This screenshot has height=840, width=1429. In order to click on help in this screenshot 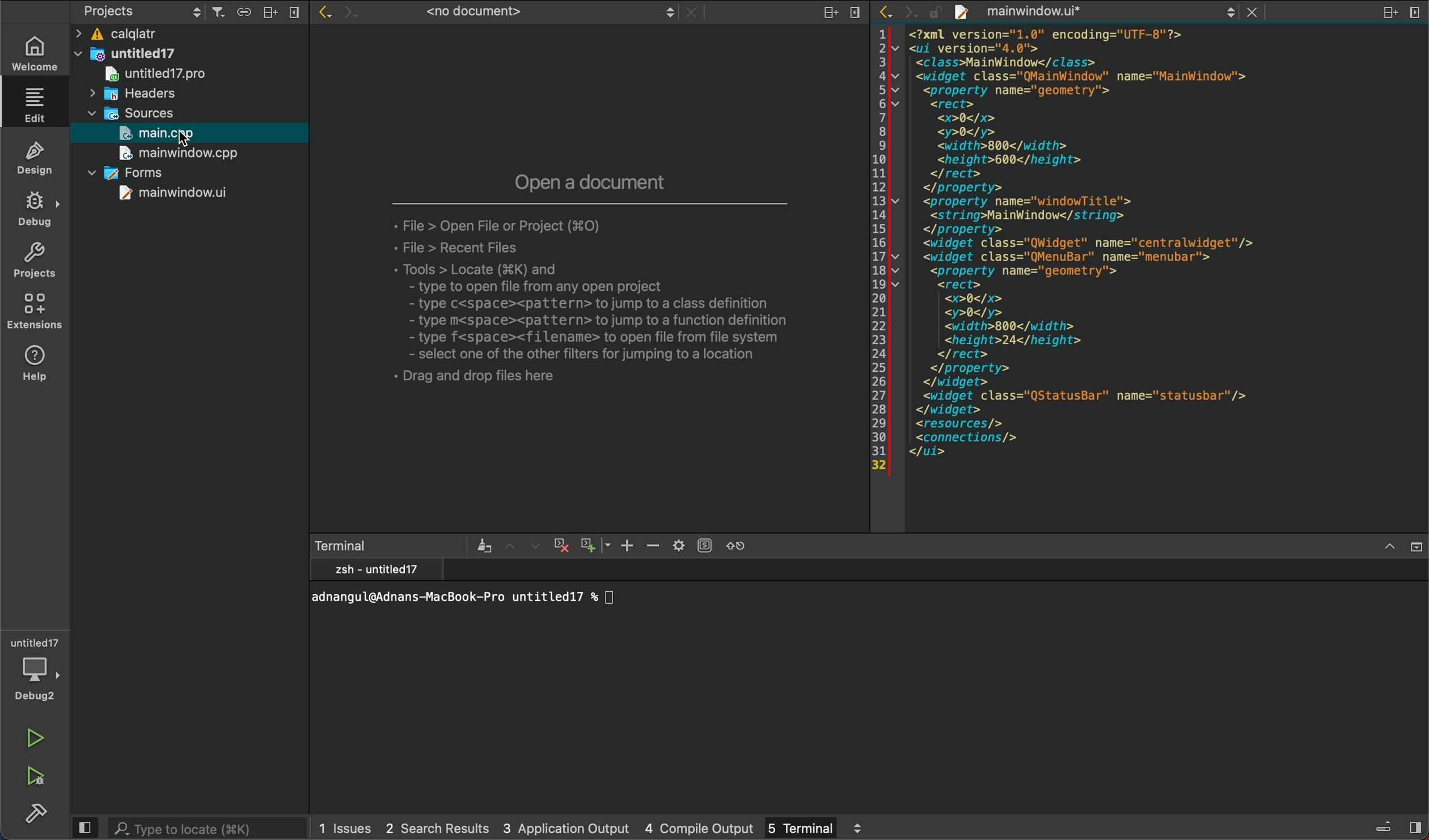, I will do `click(36, 366)`.